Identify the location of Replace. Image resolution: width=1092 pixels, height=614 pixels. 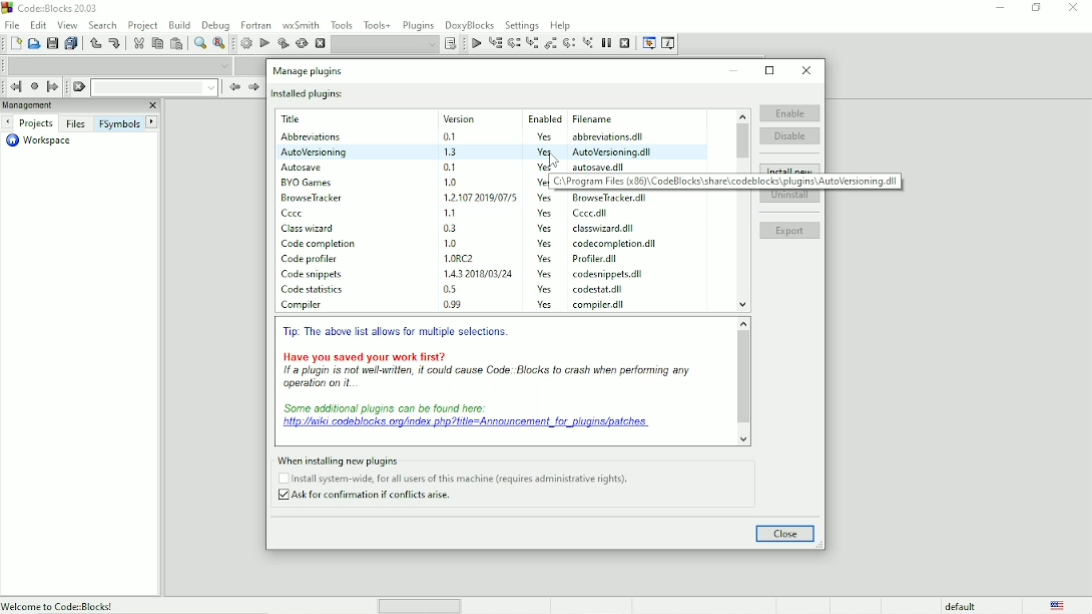
(219, 44).